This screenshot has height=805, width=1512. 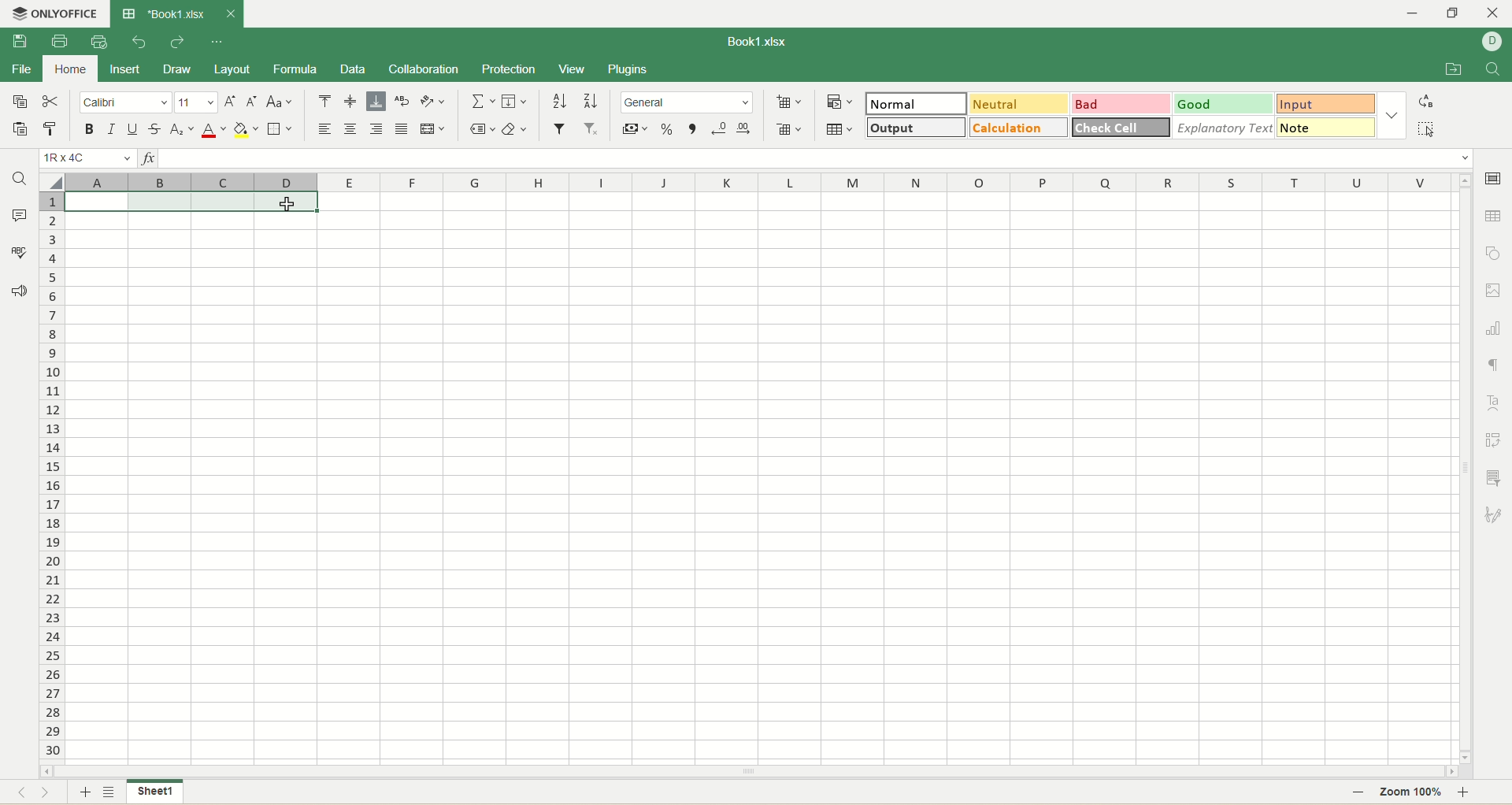 What do you see at coordinates (295, 69) in the screenshot?
I see `formula` at bounding box center [295, 69].